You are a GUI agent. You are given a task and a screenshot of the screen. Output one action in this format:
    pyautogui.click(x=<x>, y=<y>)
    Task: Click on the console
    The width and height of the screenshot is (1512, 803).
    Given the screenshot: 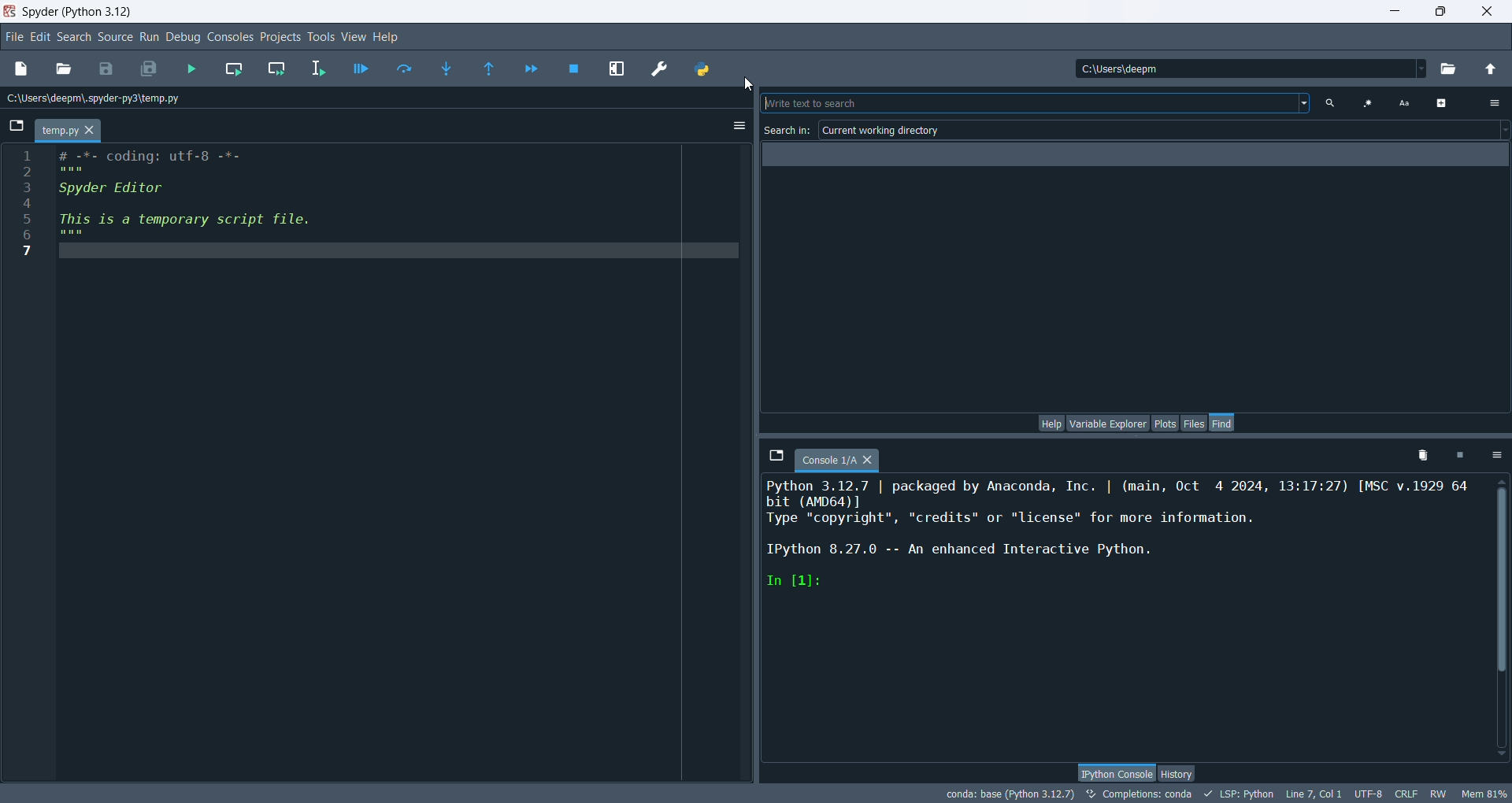 What is the action you would take?
    pyautogui.click(x=231, y=38)
    